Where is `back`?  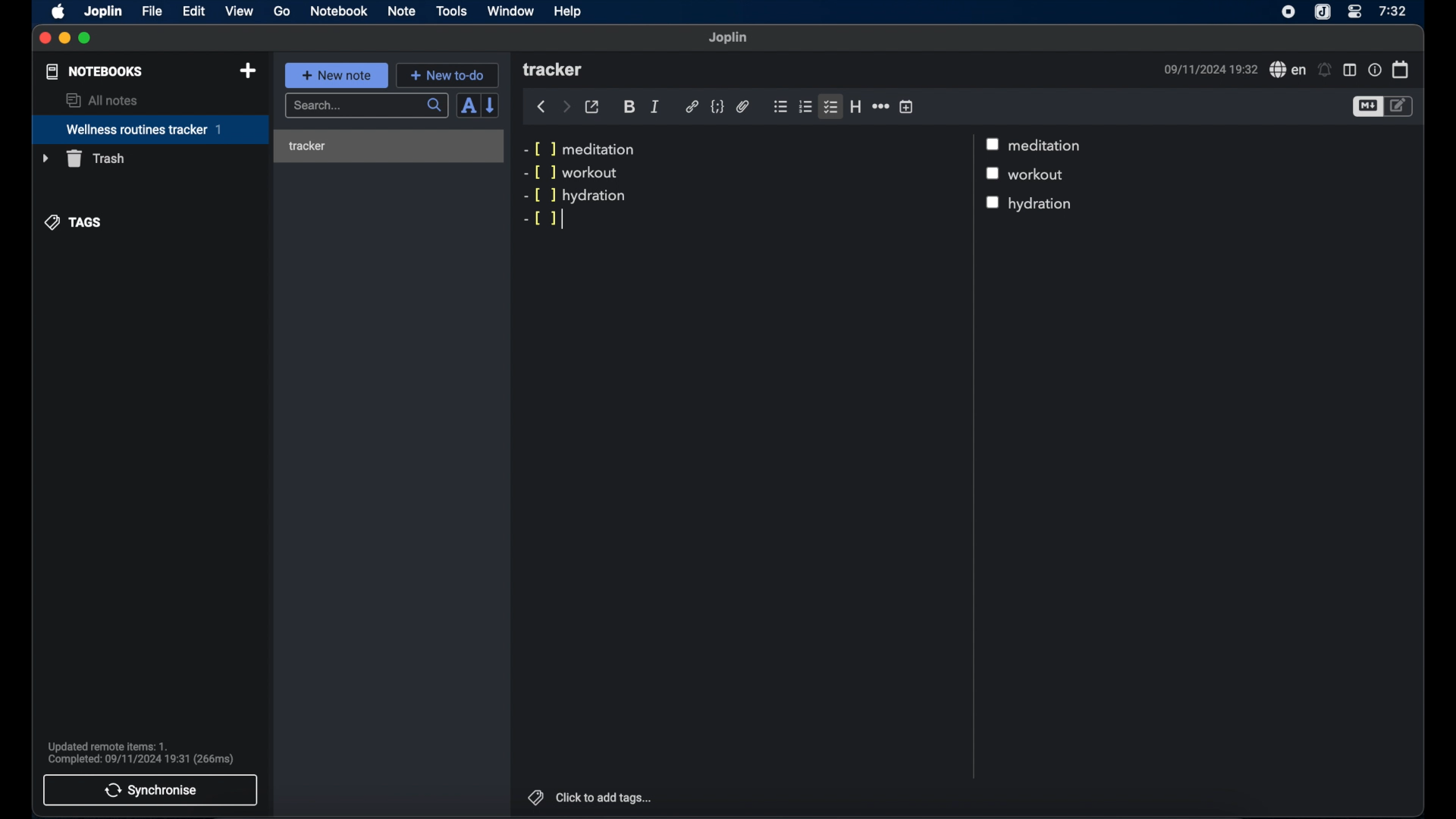 back is located at coordinates (541, 107).